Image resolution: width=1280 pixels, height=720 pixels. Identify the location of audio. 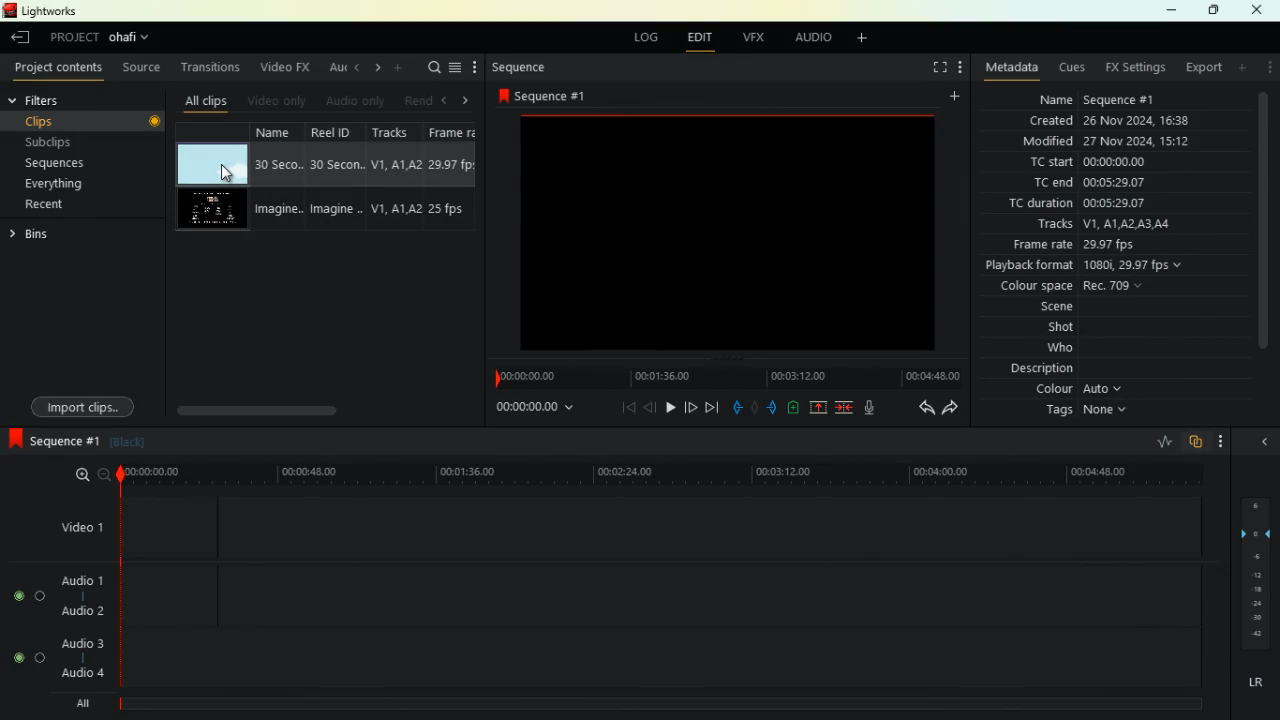
(83, 578).